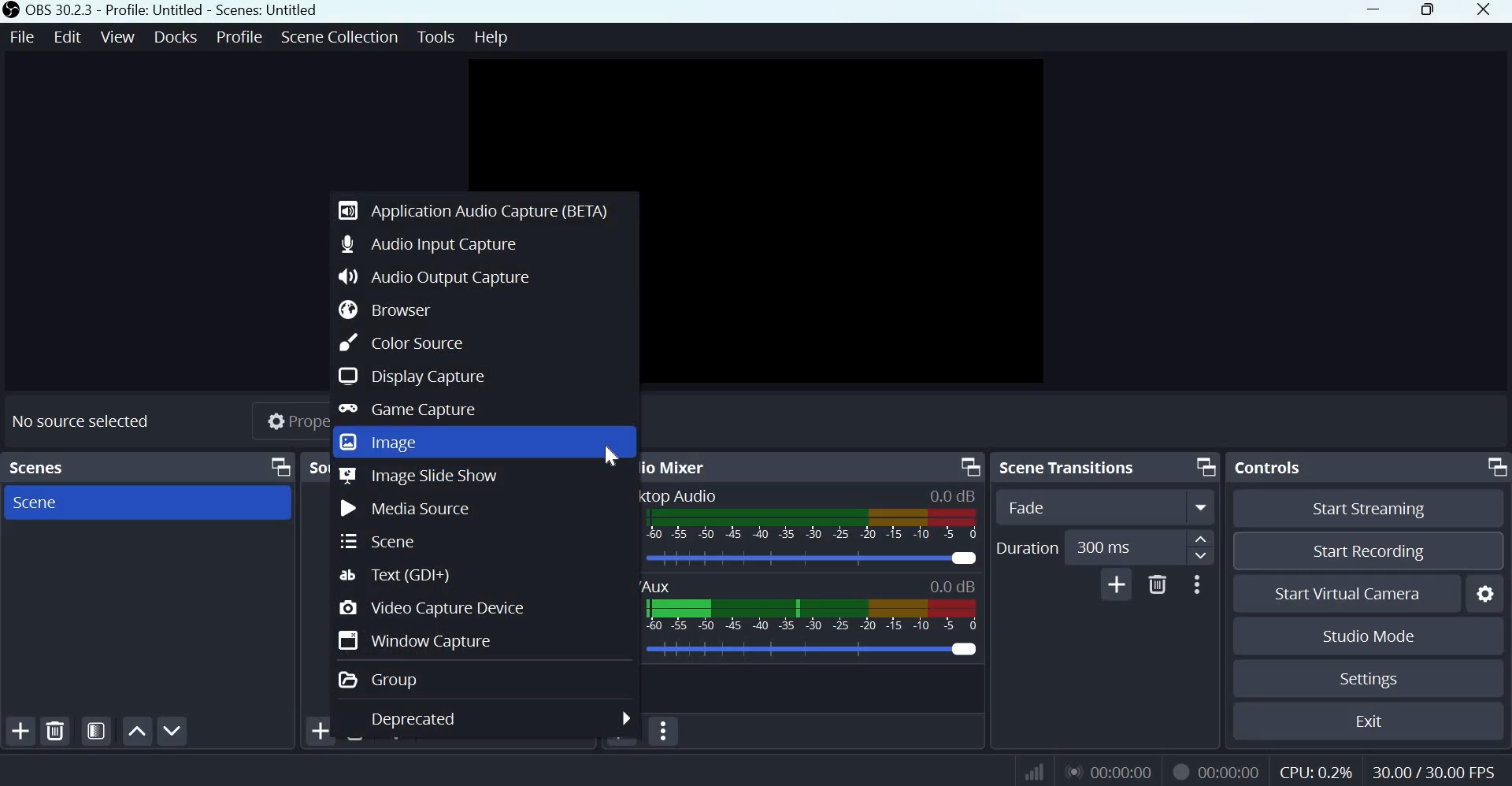 The width and height of the screenshot is (1512, 786). What do you see at coordinates (1206, 539) in the screenshot?
I see `increase` at bounding box center [1206, 539].